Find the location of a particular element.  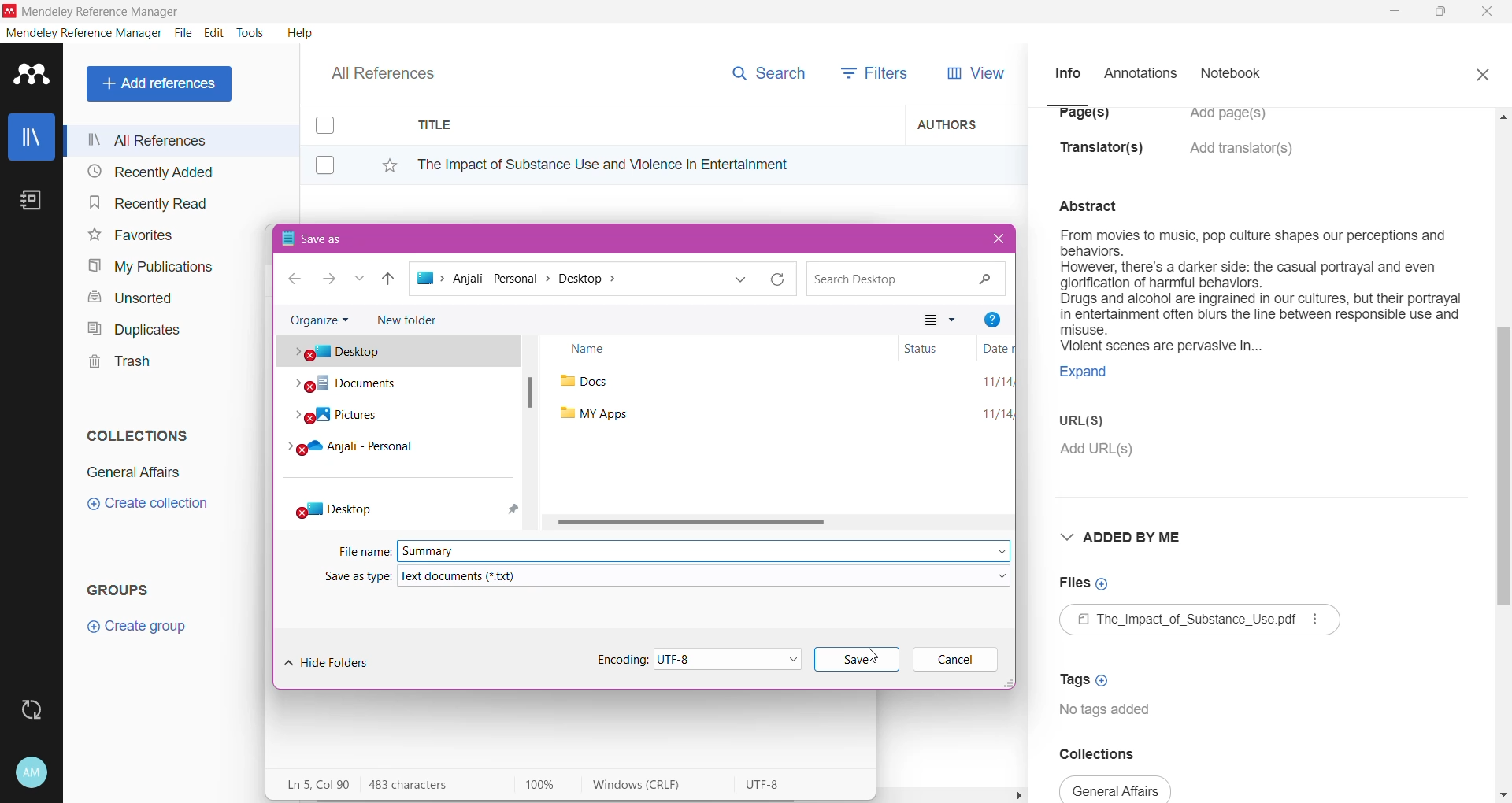

Date modified is located at coordinates (990, 350).